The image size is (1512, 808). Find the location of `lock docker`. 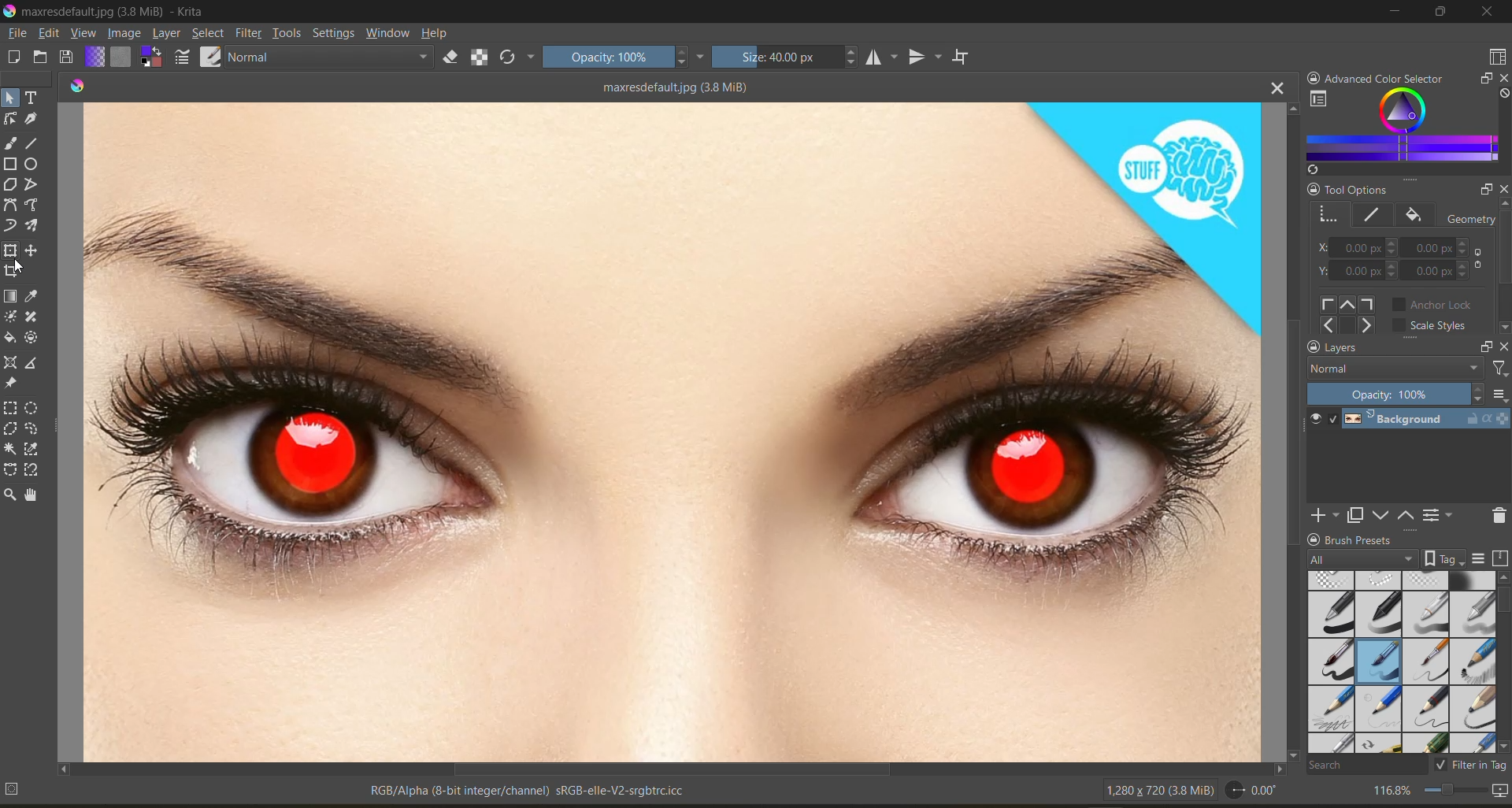

lock docker is located at coordinates (1314, 189).